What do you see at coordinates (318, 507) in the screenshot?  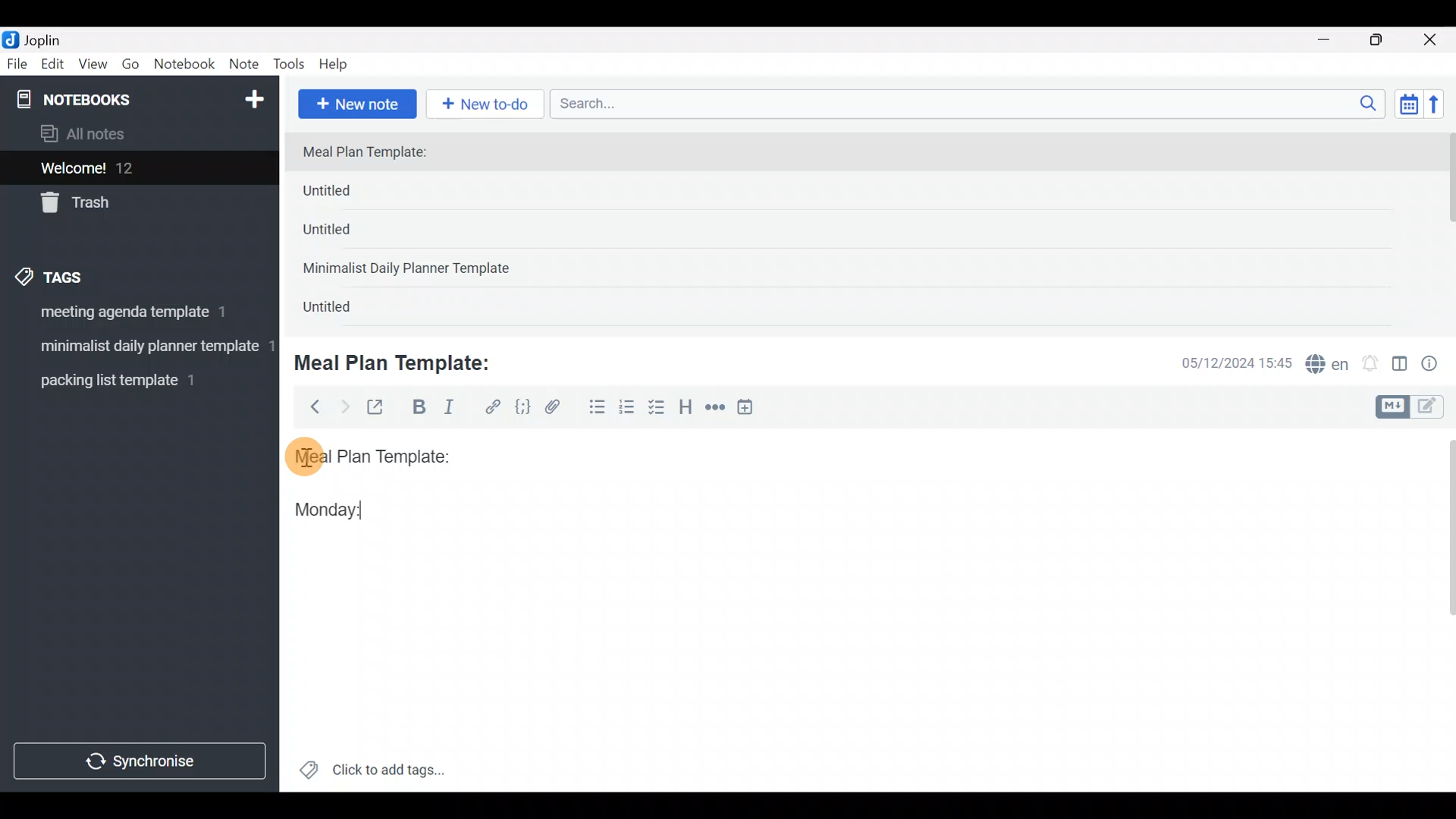 I see `Monday:` at bounding box center [318, 507].